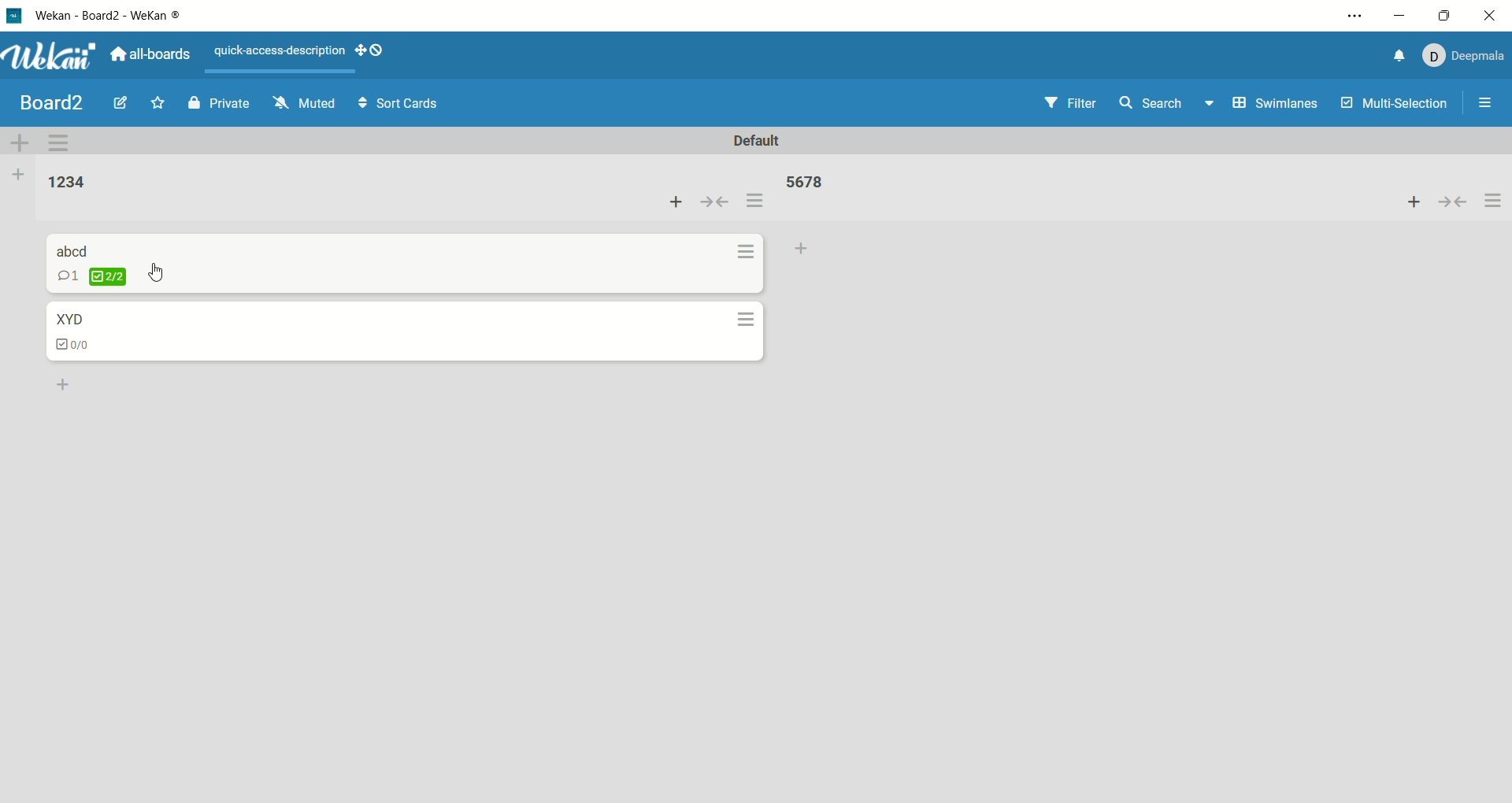 This screenshot has width=1512, height=803. Describe the element at coordinates (1488, 15) in the screenshot. I see `close` at that location.